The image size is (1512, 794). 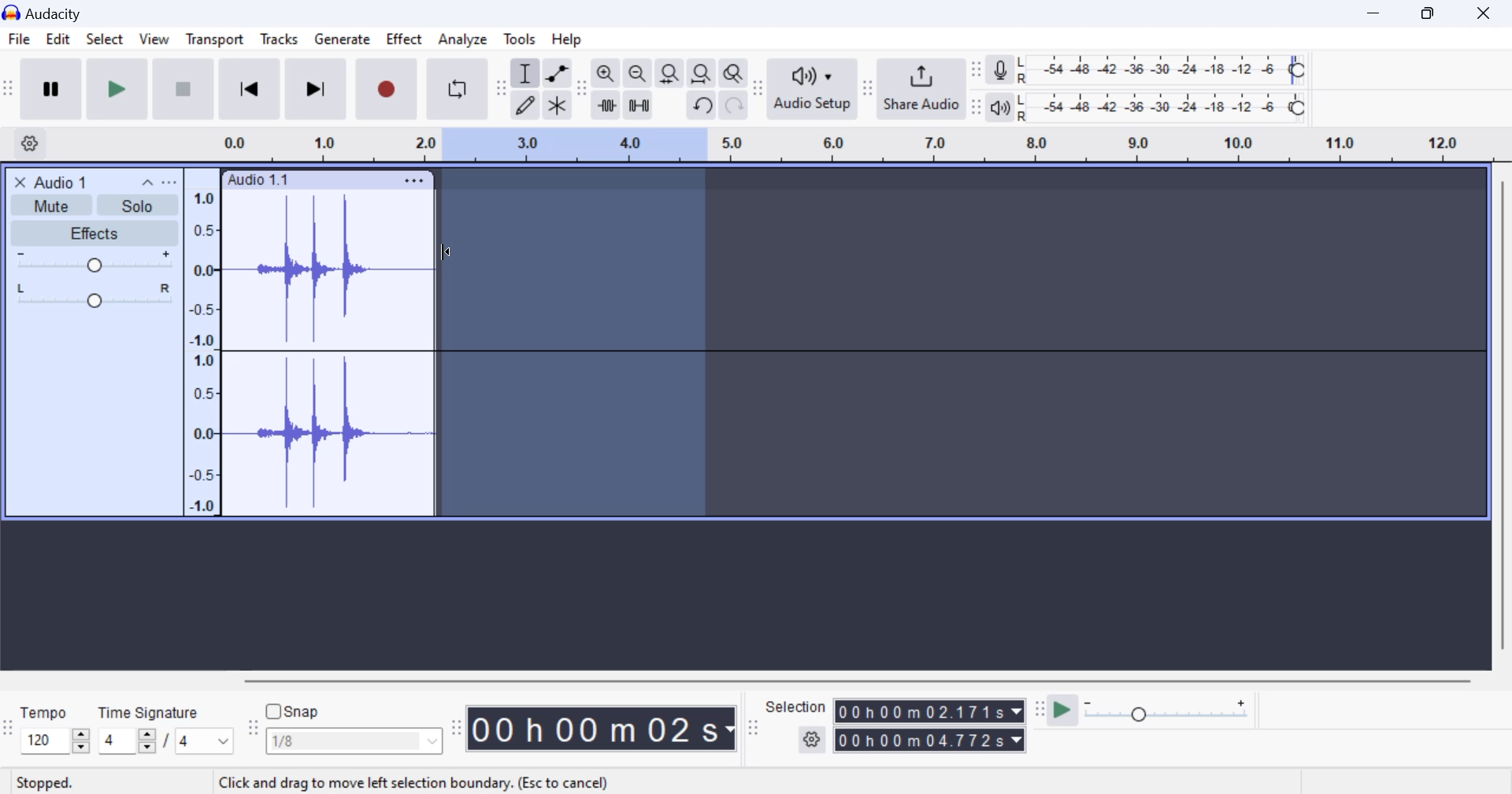 What do you see at coordinates (527, 76) in the screenshot?
I see `selection tool` at bounding box center [527, 76].